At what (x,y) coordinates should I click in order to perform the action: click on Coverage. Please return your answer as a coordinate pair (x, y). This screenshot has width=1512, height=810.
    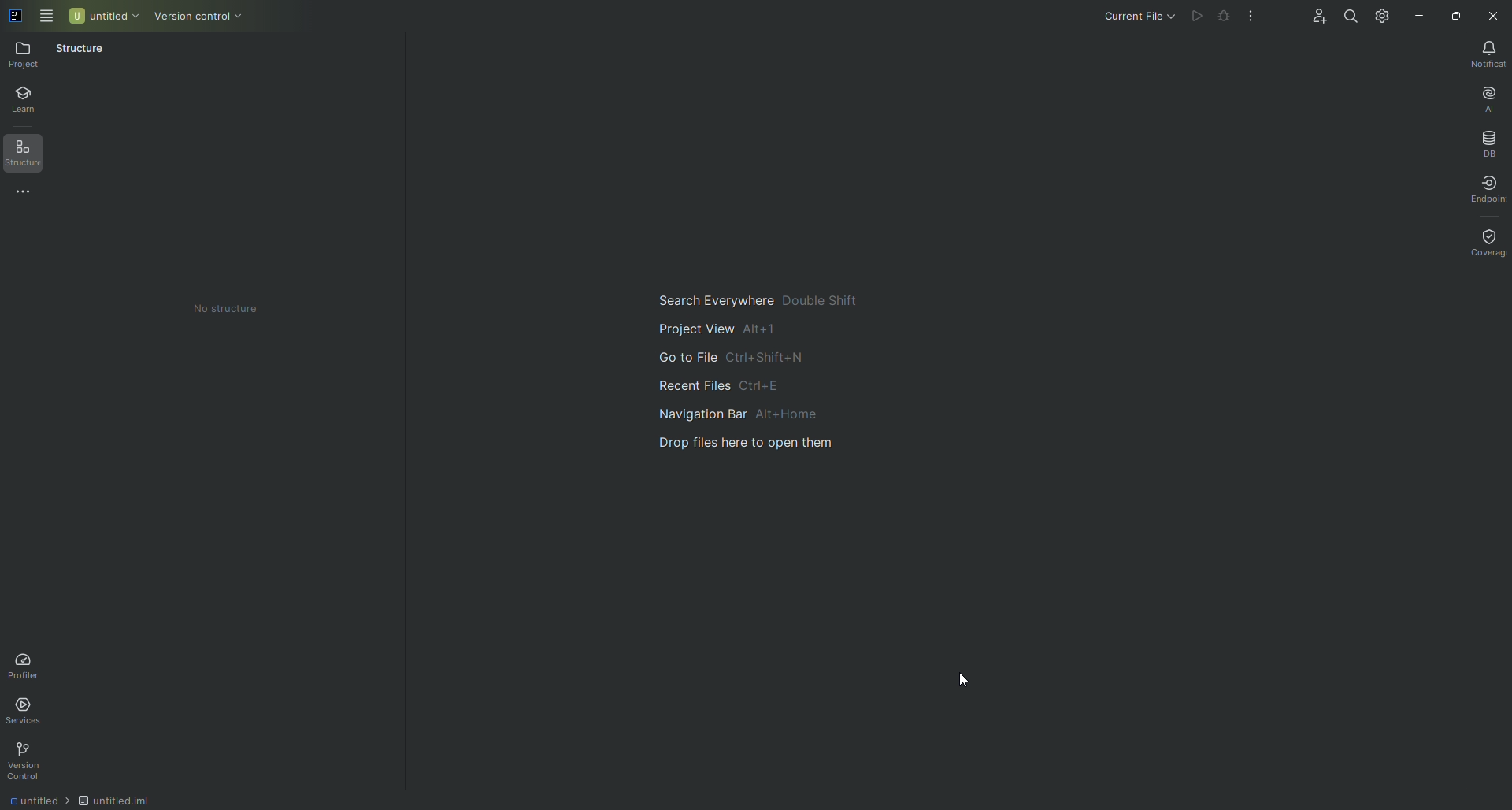
    Looking at the image, I should click on (1486, 241).